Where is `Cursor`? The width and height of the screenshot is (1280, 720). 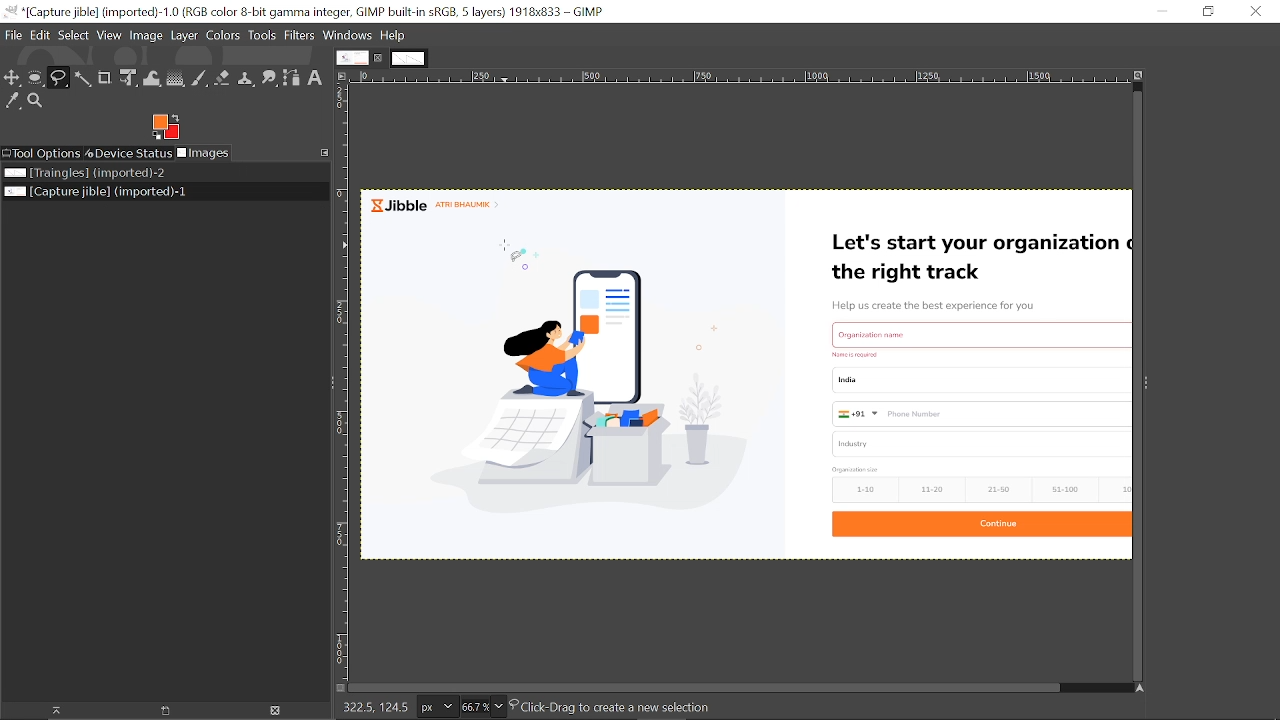
Cursor is located at coordinates (510, 259).